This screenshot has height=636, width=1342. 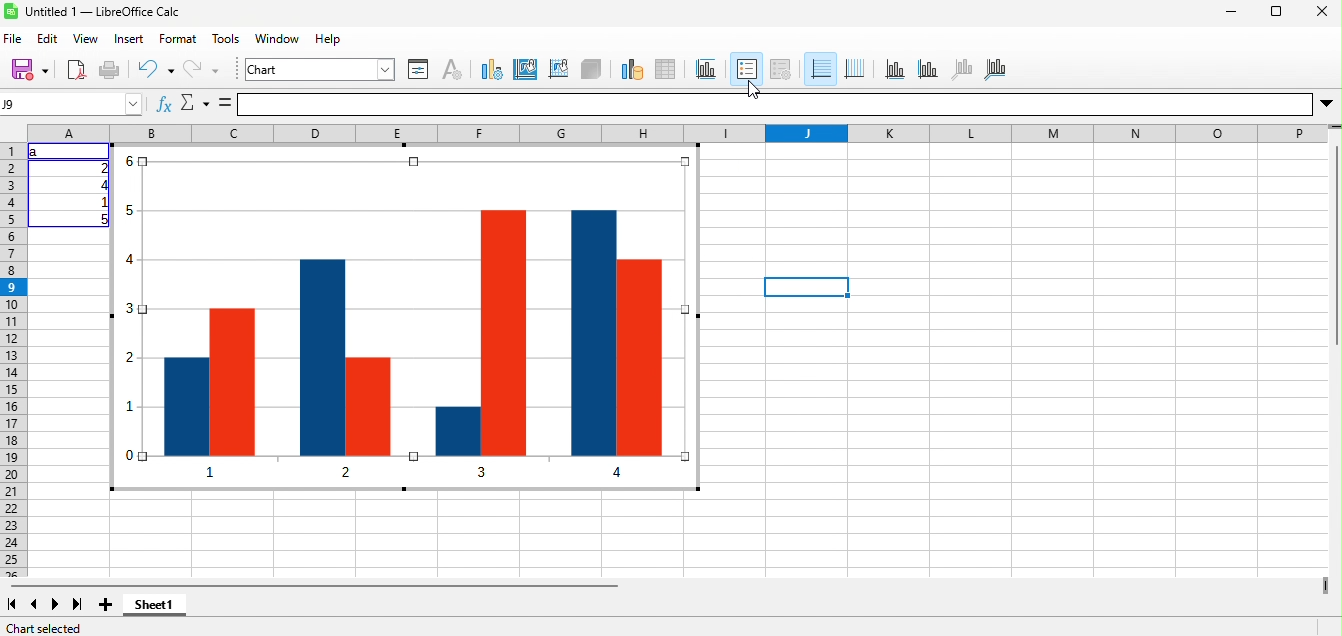 I want to click on format selection, so click(x=419, y=70).